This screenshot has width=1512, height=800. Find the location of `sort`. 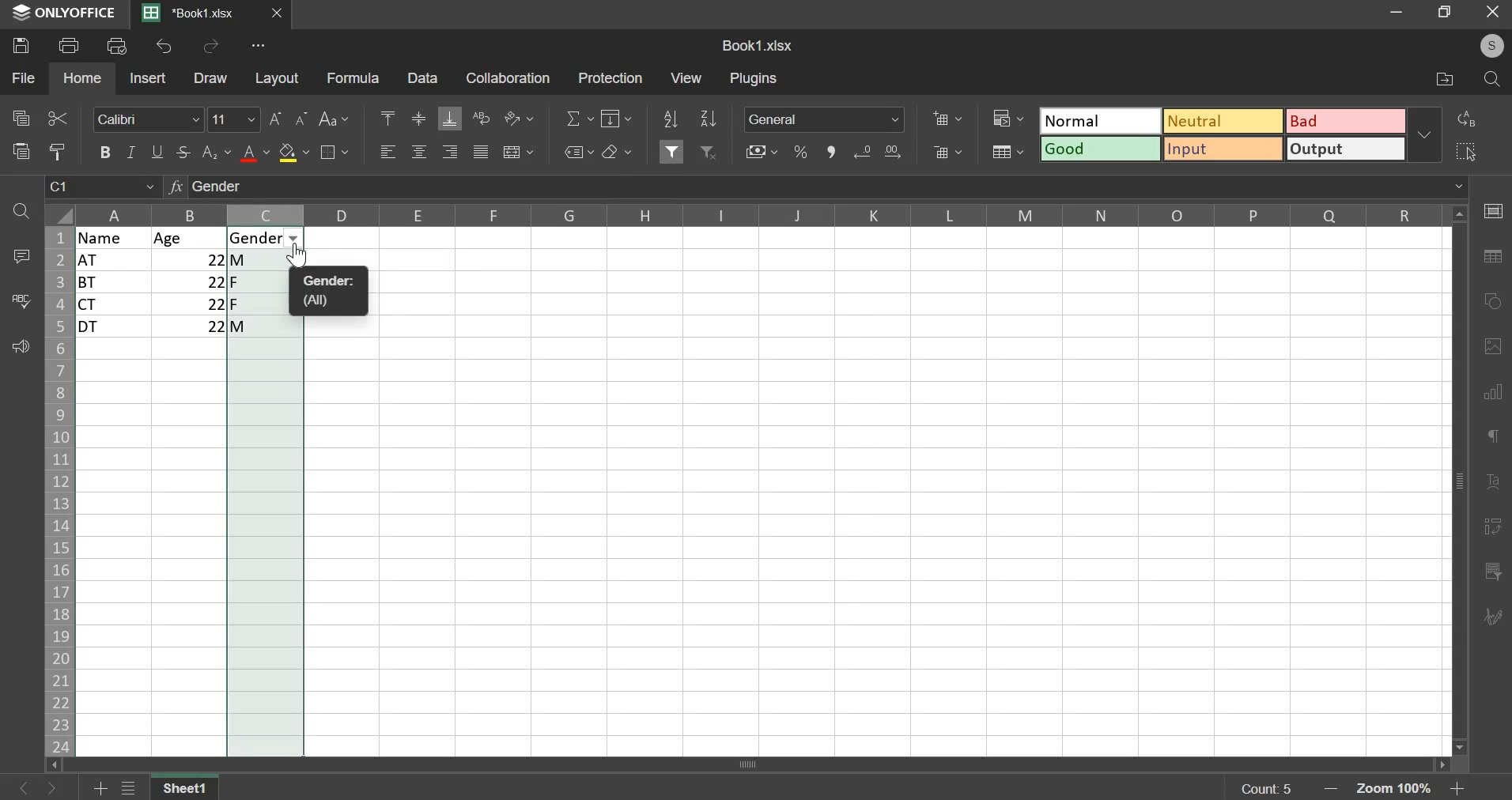

sort is located at coordinates (709, 118).